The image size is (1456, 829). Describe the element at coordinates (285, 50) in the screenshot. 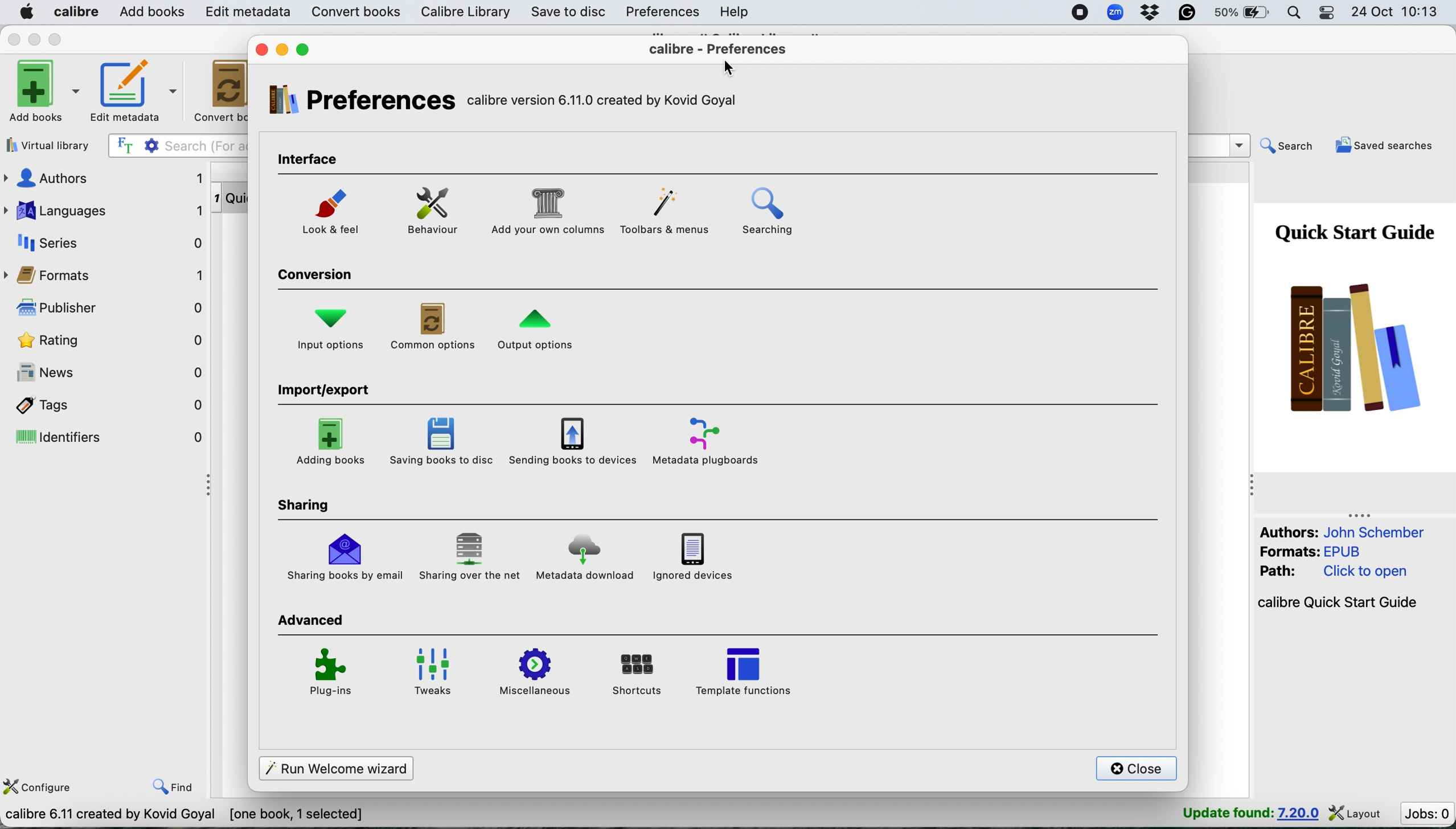

I see `minimise` at that location.